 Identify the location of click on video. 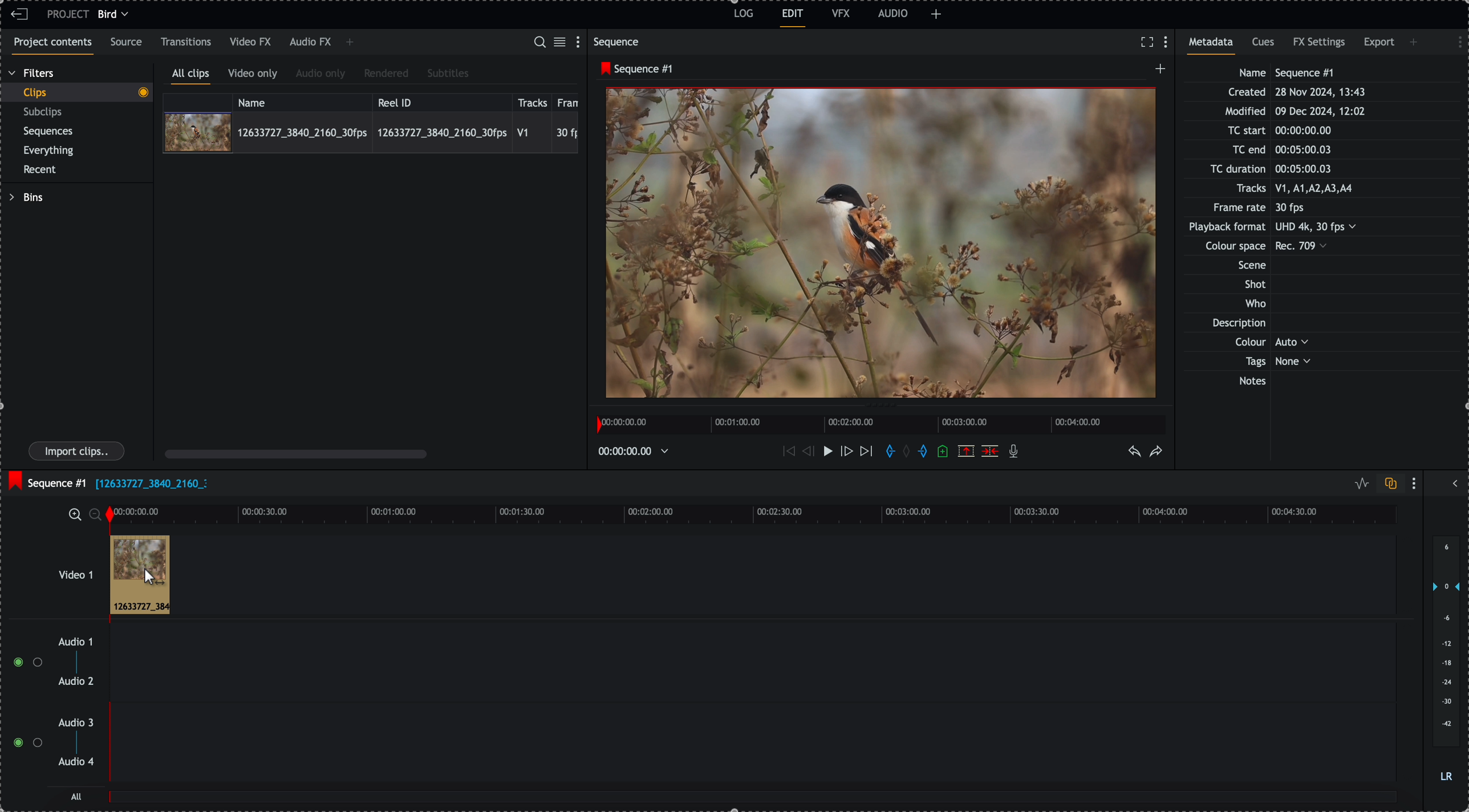
(371, 132).